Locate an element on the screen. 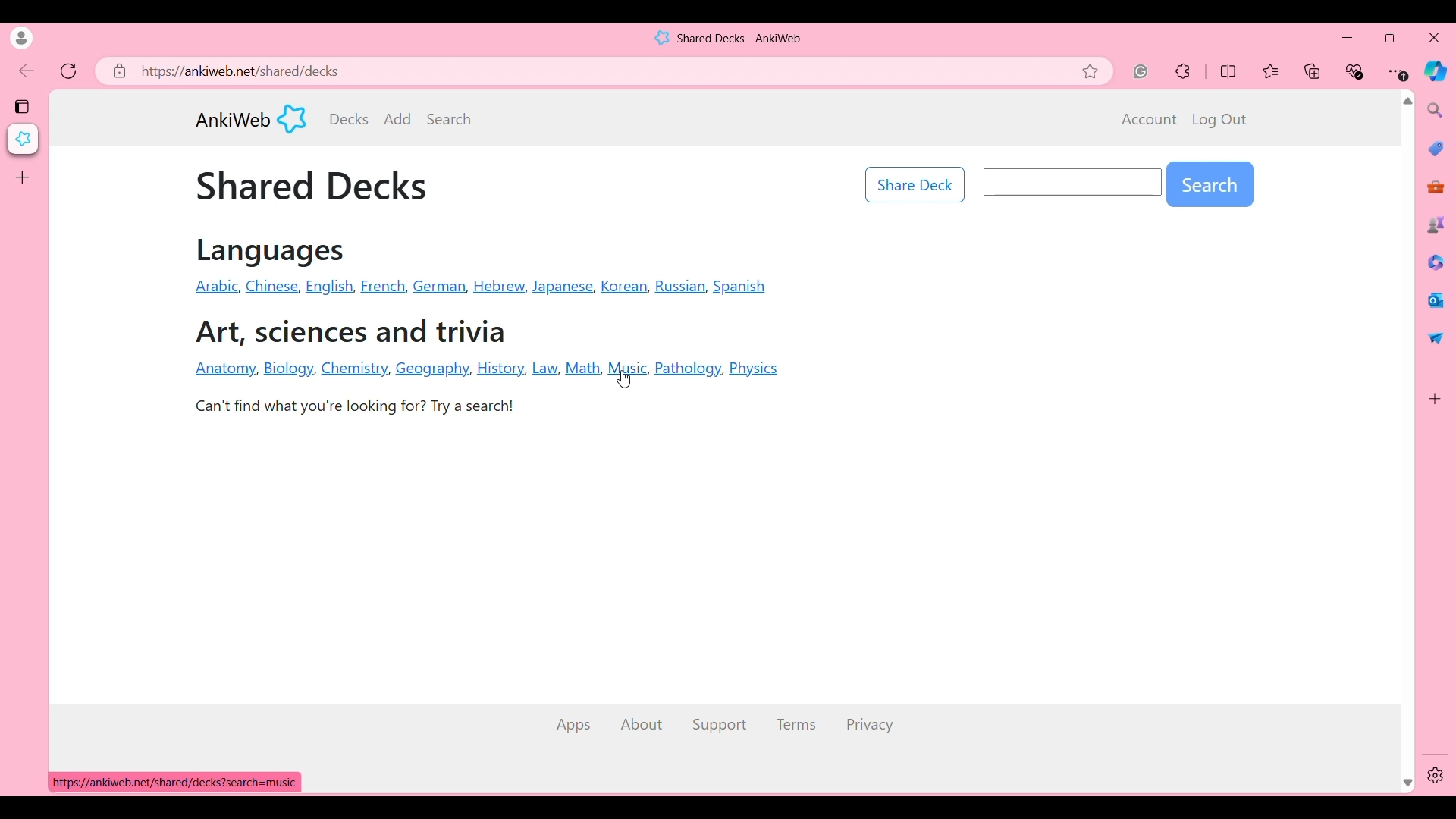 The height and width of the screenshot is (819, 1456). Chinese, is located at coordinates (272, 287).